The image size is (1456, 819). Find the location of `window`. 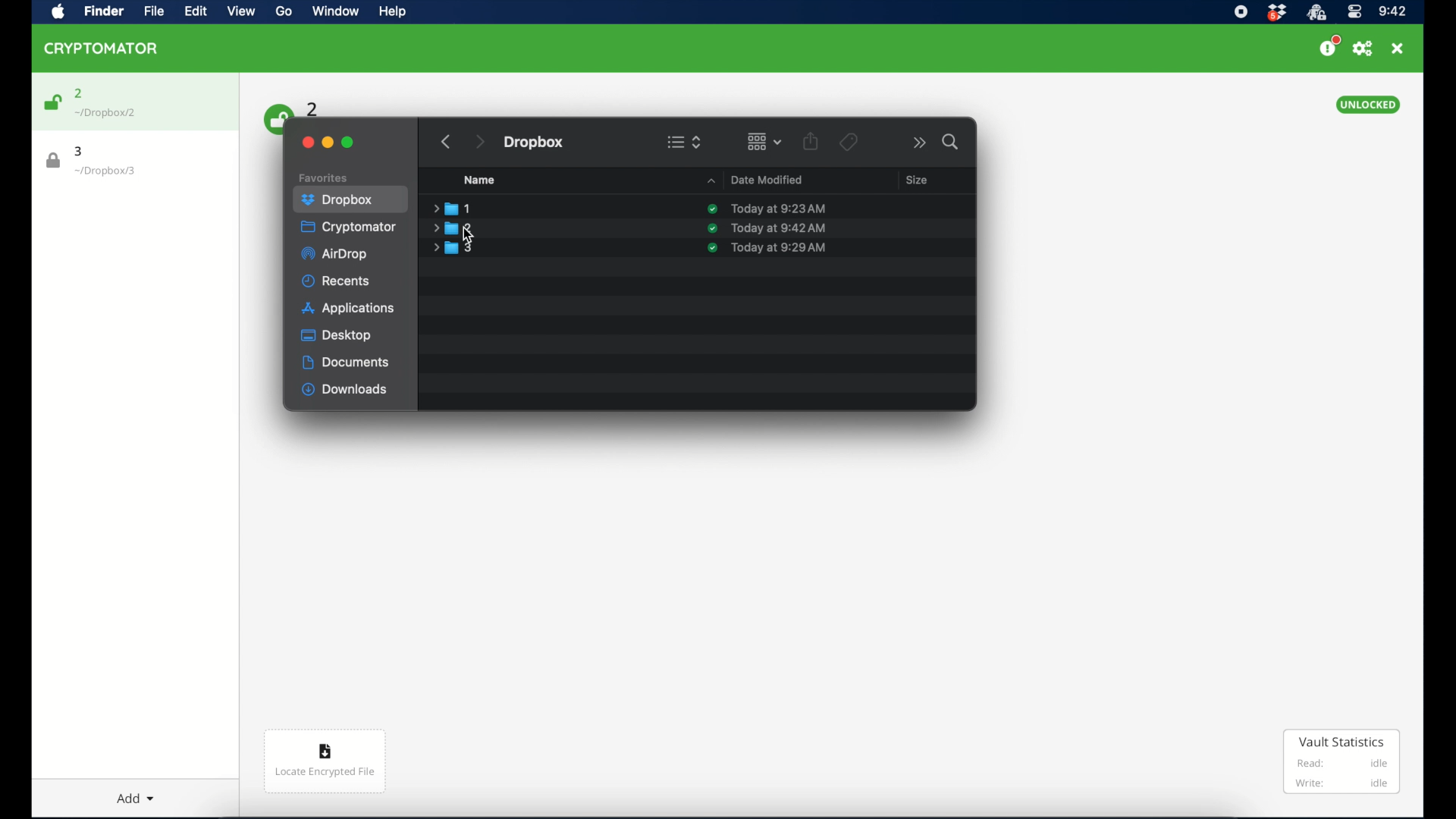

window is located at coordinates (334, 13).